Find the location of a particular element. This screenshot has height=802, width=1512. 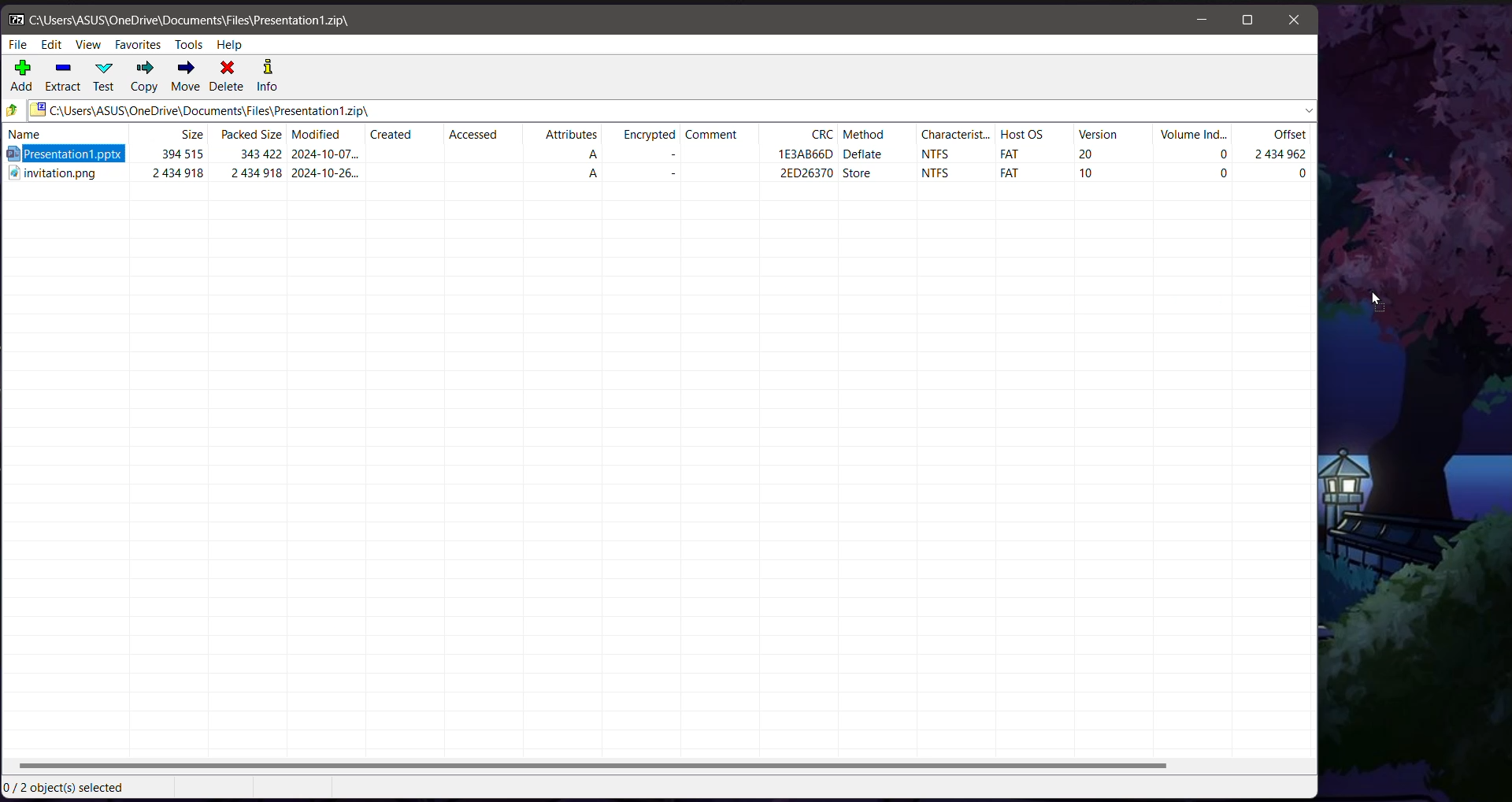

Horizontal Scroll Bar is located at coordinates (659, 767).